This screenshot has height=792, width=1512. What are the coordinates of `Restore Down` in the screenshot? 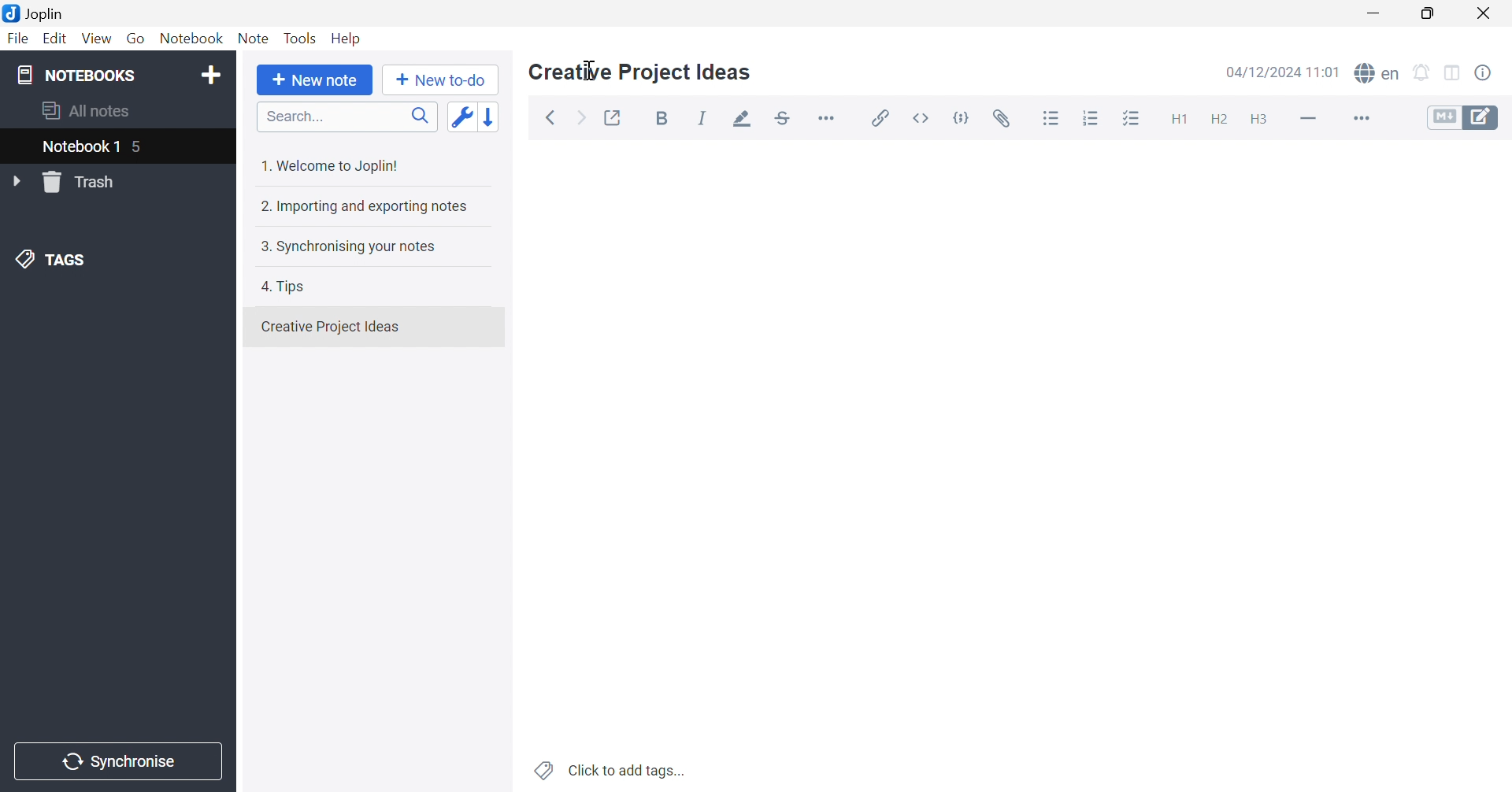 It's located at (1435, 15).